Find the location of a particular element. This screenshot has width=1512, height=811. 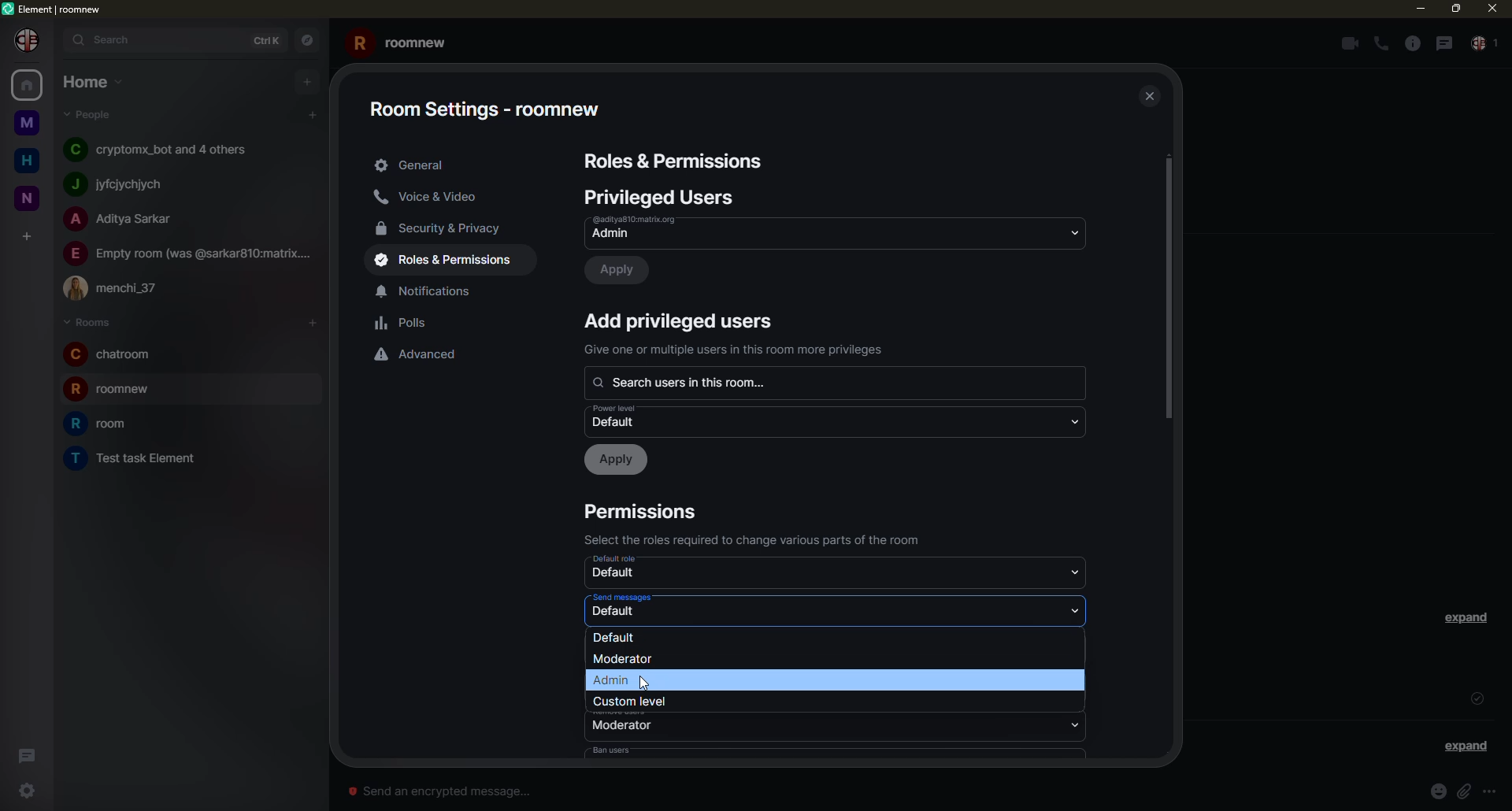

drop is located at coordinates (1073, 420).